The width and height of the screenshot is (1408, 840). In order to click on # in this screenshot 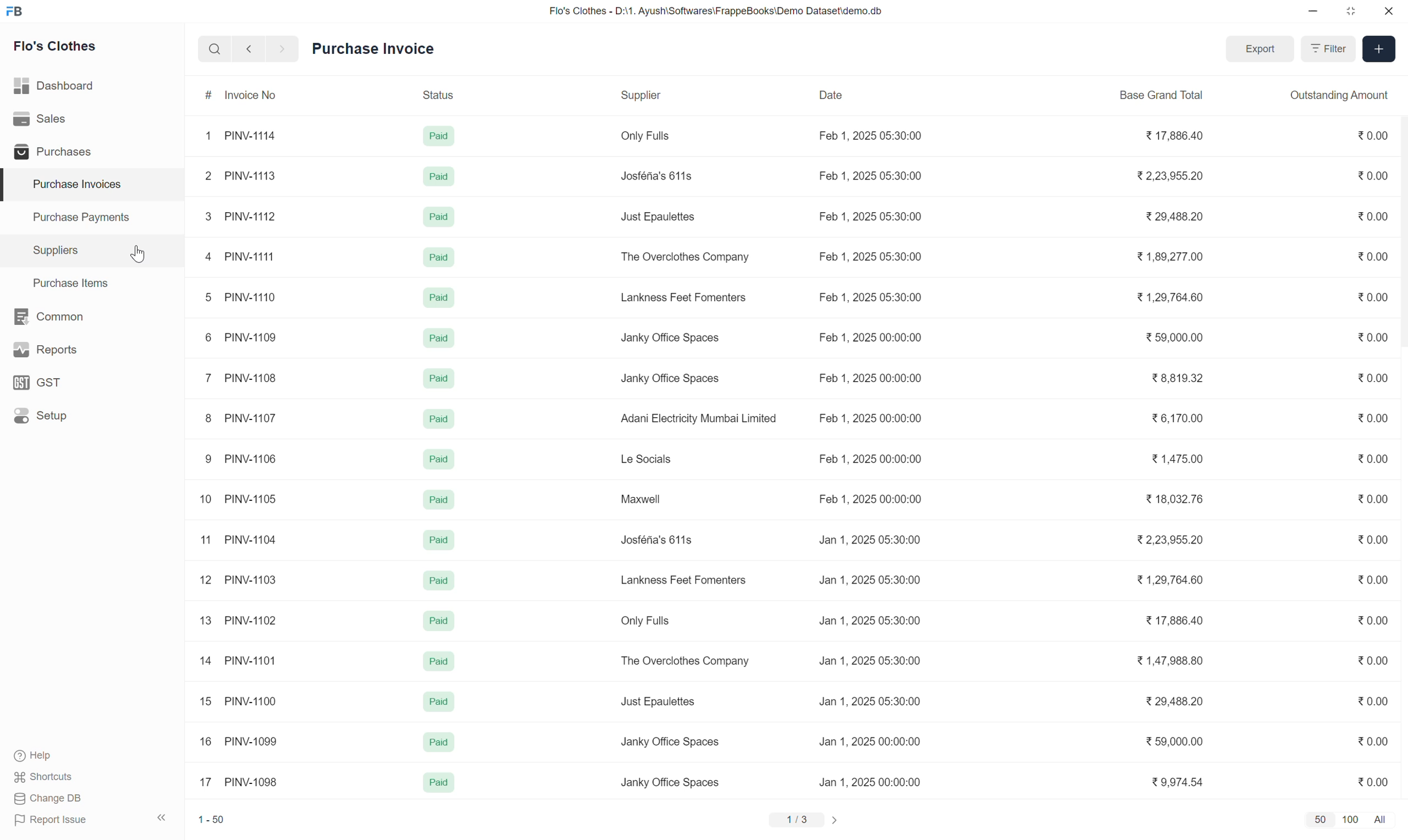, I will do `click(207, 97)`.